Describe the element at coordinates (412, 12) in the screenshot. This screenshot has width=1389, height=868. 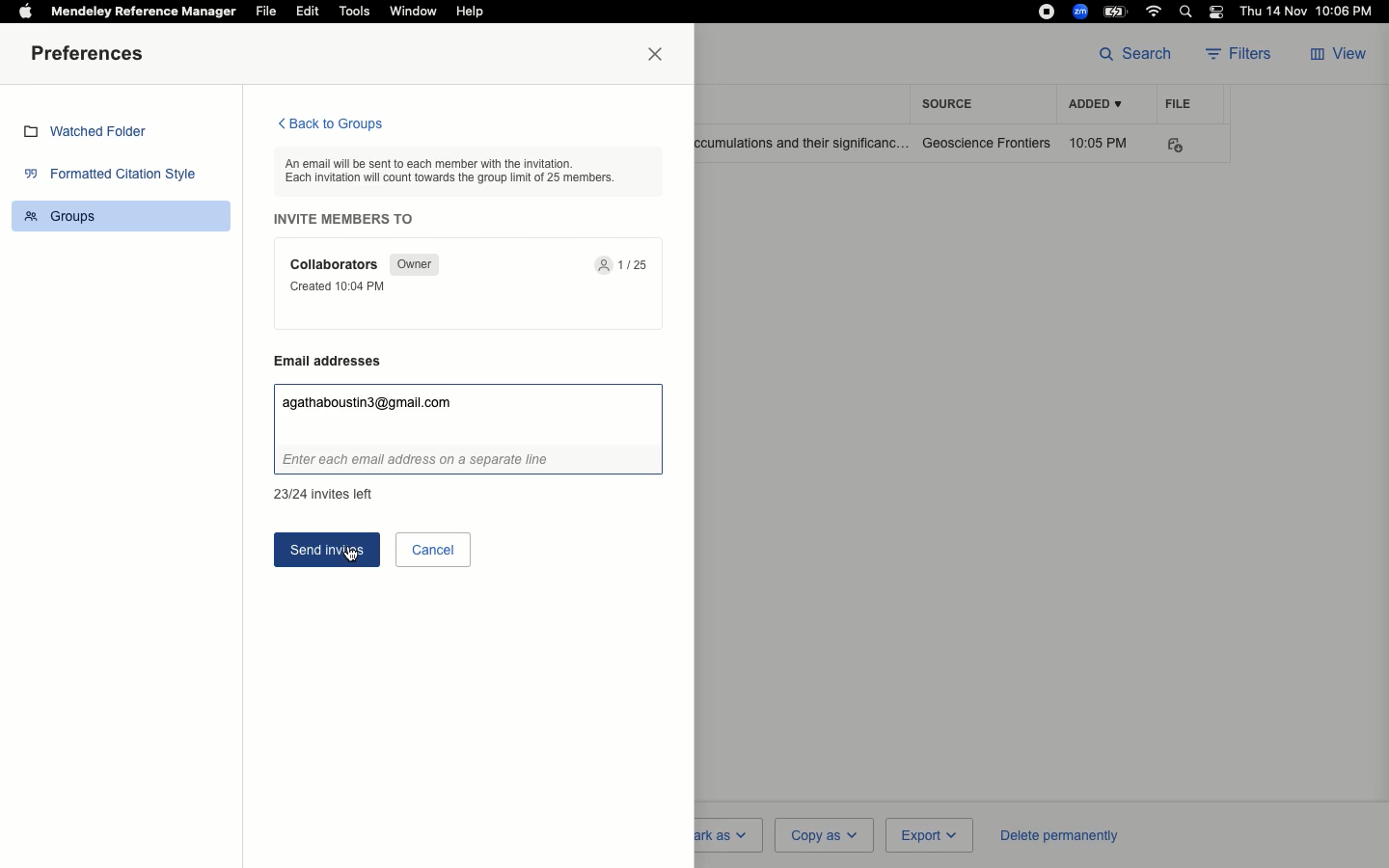
I see `Window` at that location.